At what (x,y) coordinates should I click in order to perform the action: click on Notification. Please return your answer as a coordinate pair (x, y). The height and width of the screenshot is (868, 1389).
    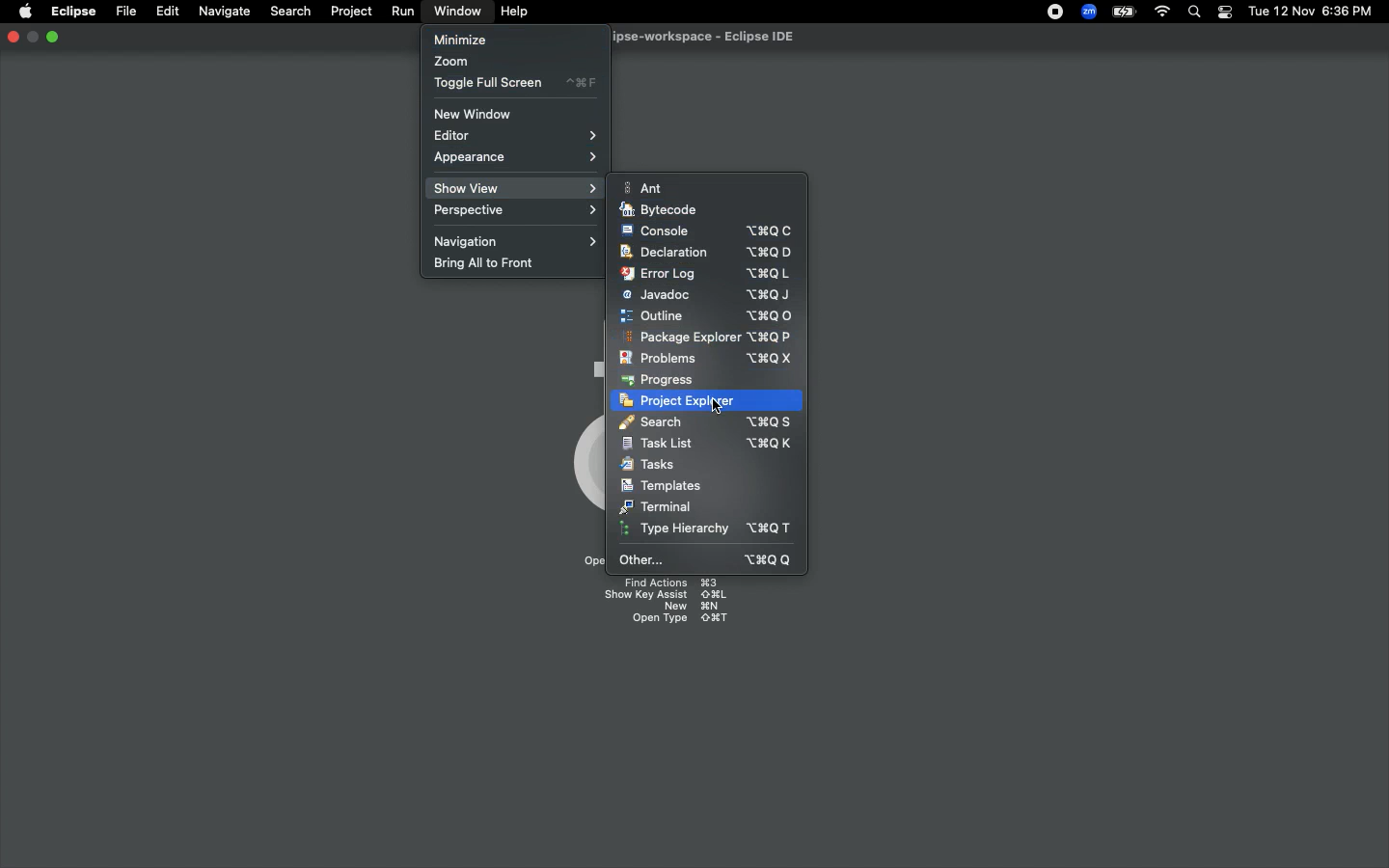
    Looking at the image, I should click on (1224, 13).